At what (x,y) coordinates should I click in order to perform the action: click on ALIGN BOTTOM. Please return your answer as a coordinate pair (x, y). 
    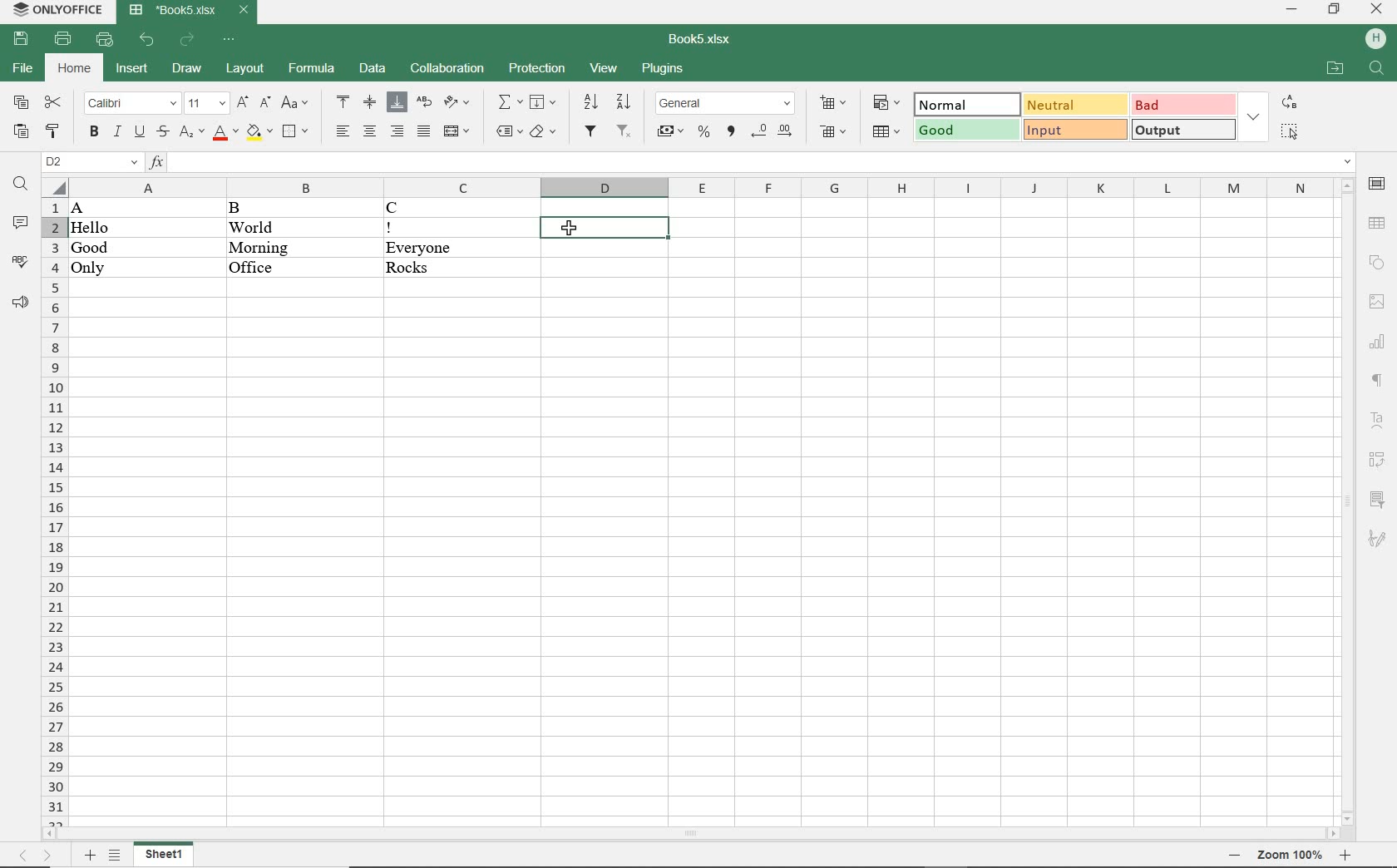
    Looking at the image, I should click on (397, 104).